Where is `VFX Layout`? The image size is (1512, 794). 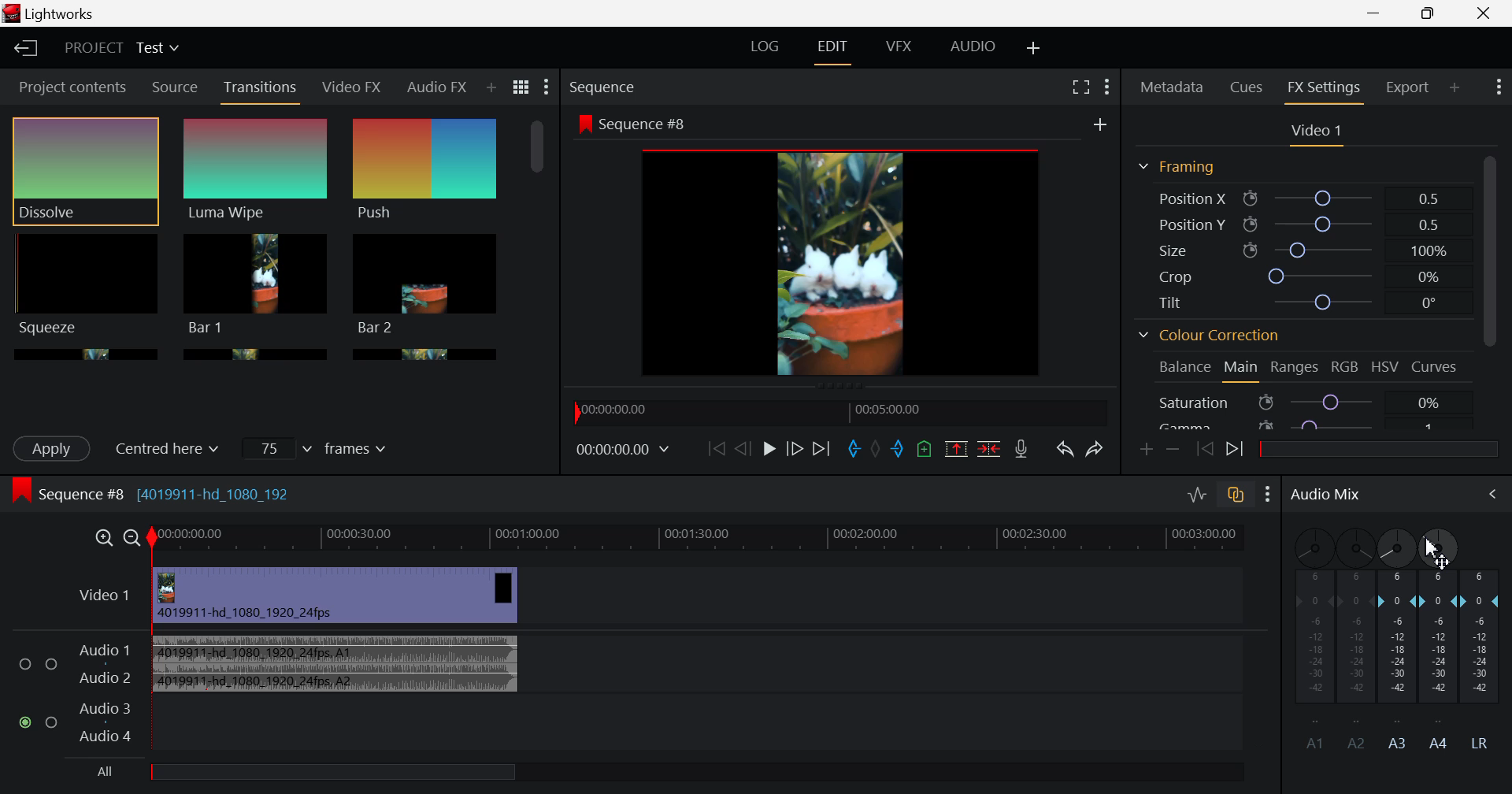 VFX Layout is located at coordinates (899, 50).